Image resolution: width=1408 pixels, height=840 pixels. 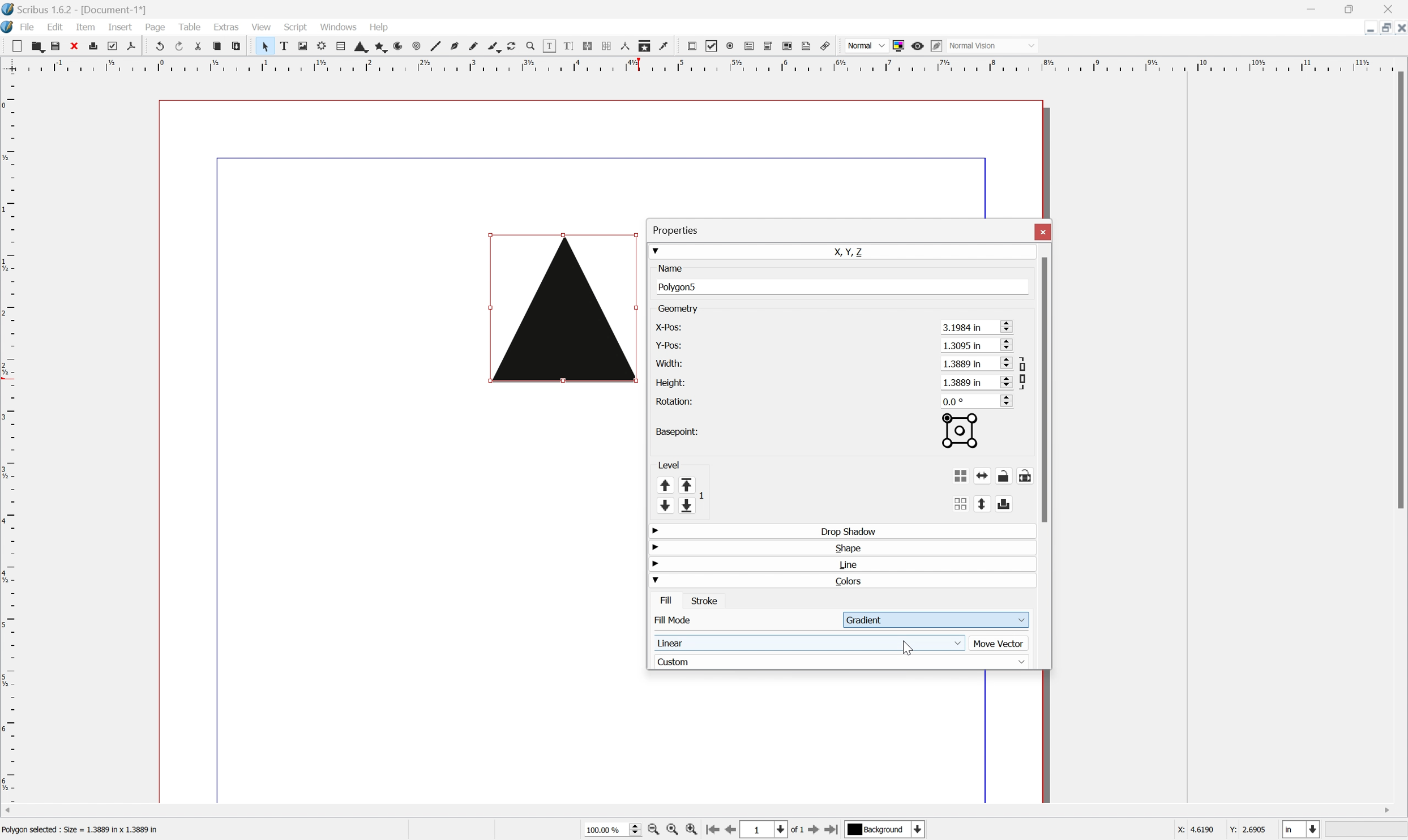 I want to click on Go to previous page, so click(x=728, y=832).